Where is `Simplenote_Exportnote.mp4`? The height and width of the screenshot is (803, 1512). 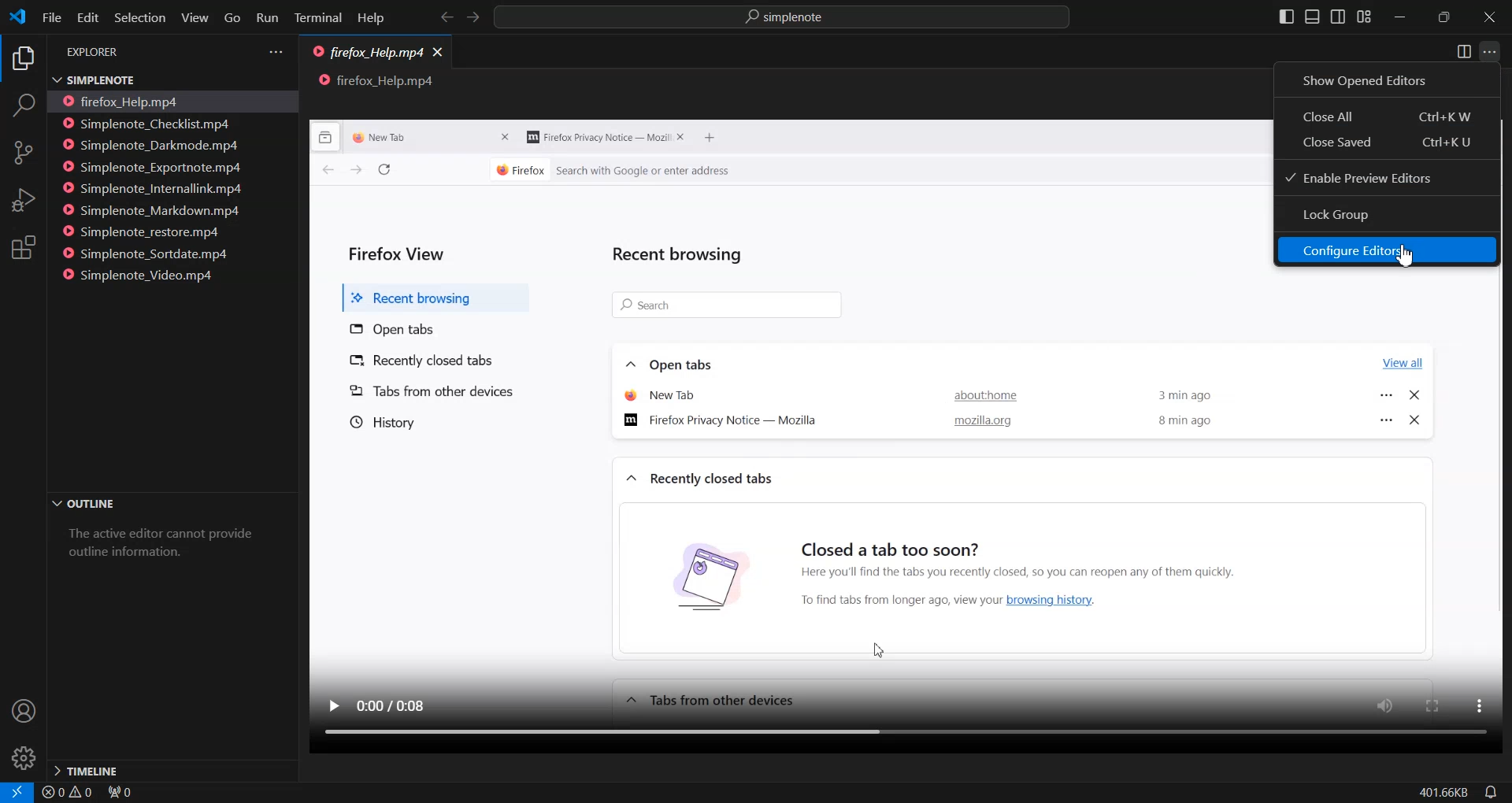
Simplenote_Exportnote.mp4 is located at coordinates (154, 166).